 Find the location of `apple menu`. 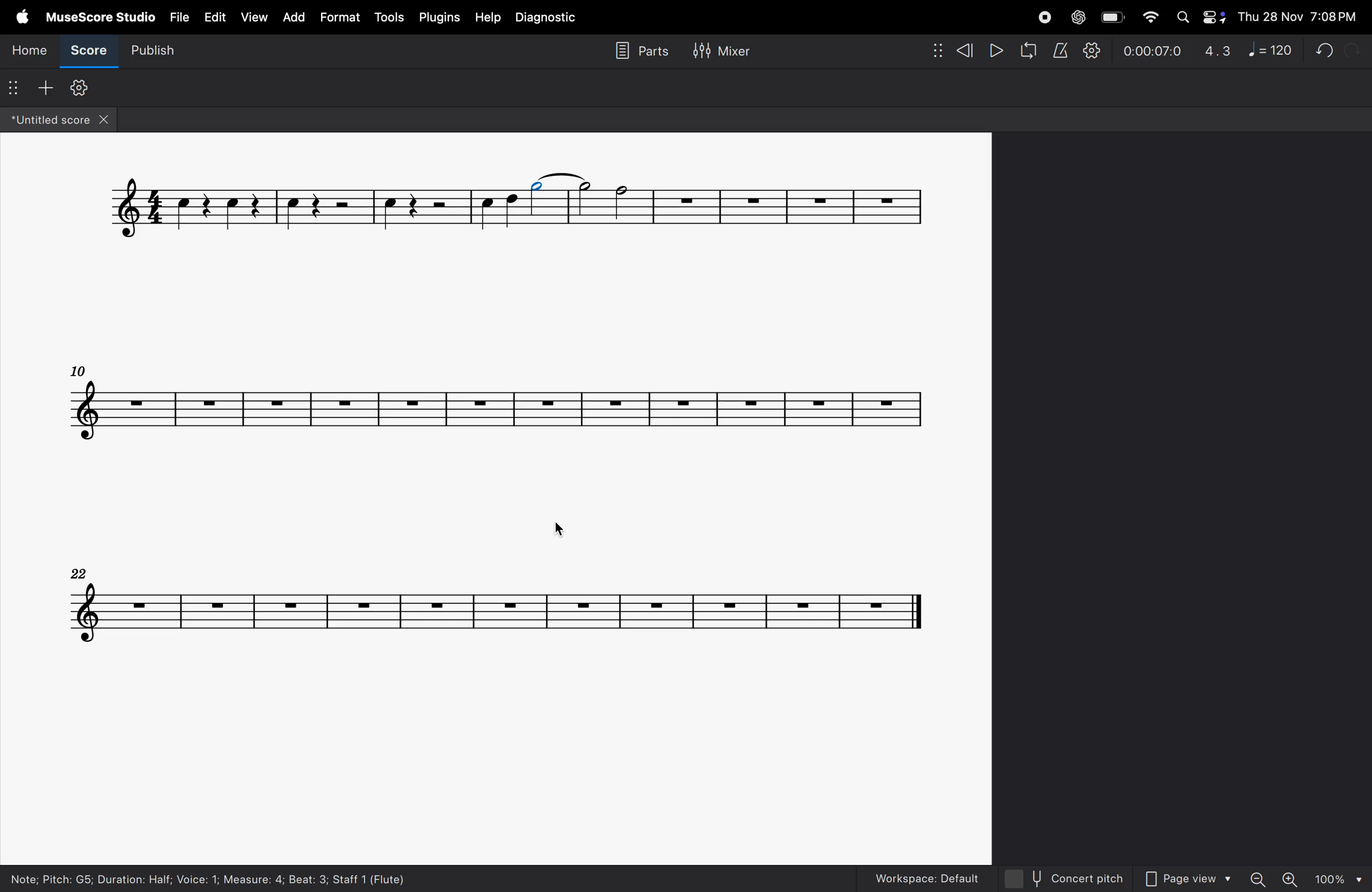

apple menu is located at coordinates (22, 17).